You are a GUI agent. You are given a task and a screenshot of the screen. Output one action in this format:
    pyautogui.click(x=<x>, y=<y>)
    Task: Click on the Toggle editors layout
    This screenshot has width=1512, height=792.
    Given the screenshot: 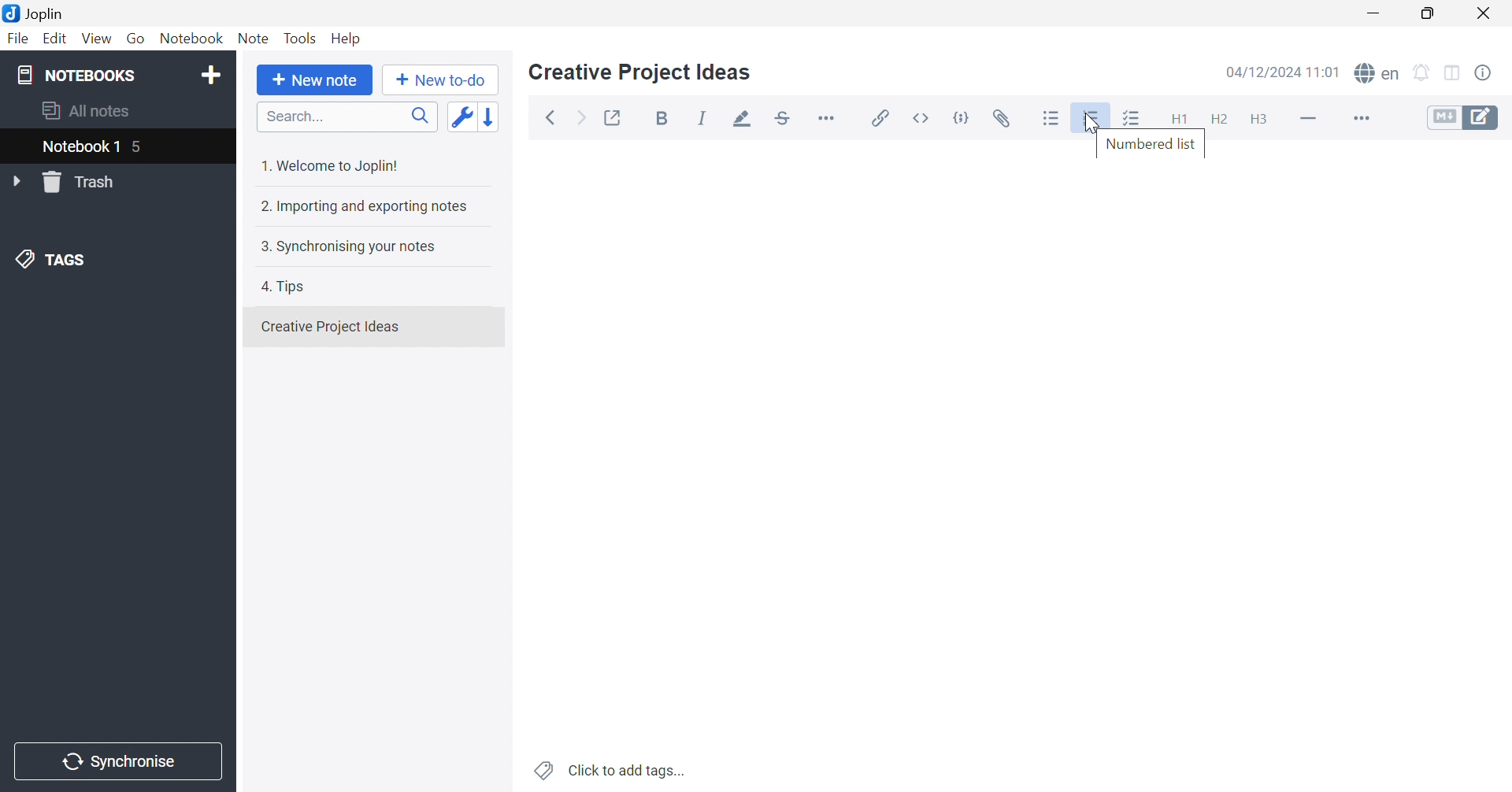 What is the action you would take?
    pyautogui.click(x=1452, y=71)
    